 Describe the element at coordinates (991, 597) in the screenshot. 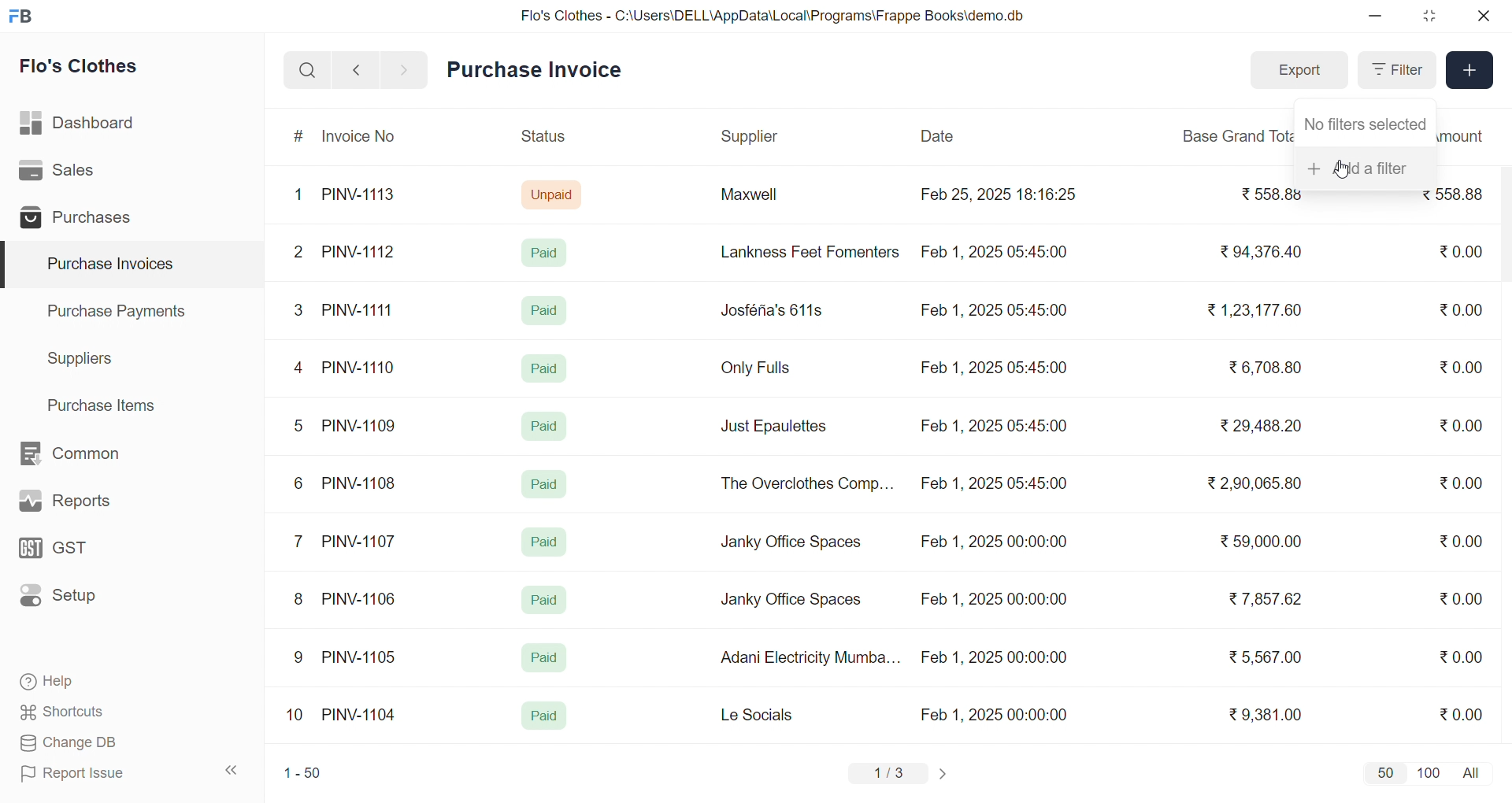

I see `Feb 1, 2025 00:00:00` at that location.